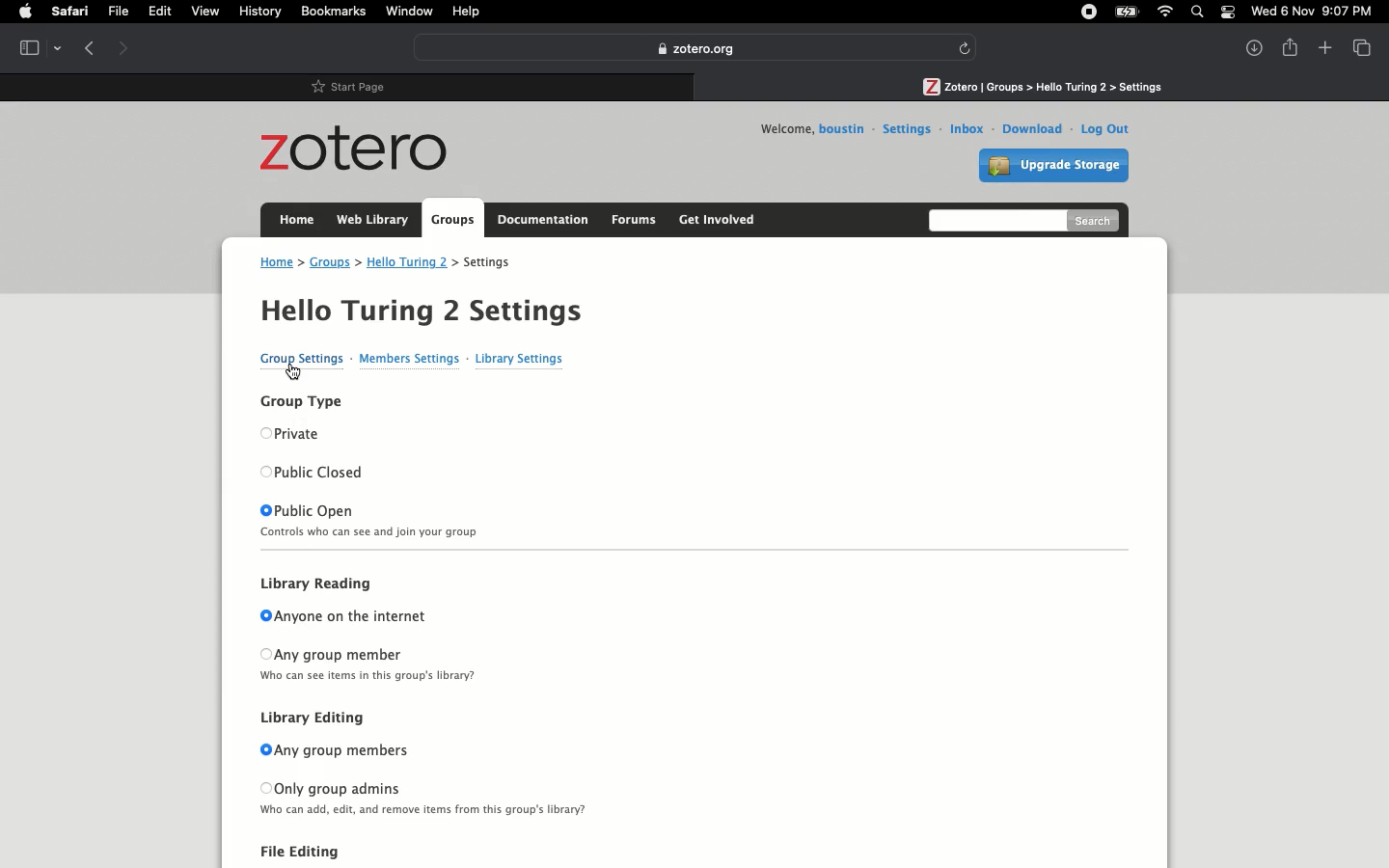  What do you see at coordinates (293, 434) in the screenshot?
I see `Private` at bounding box center [293, 434].